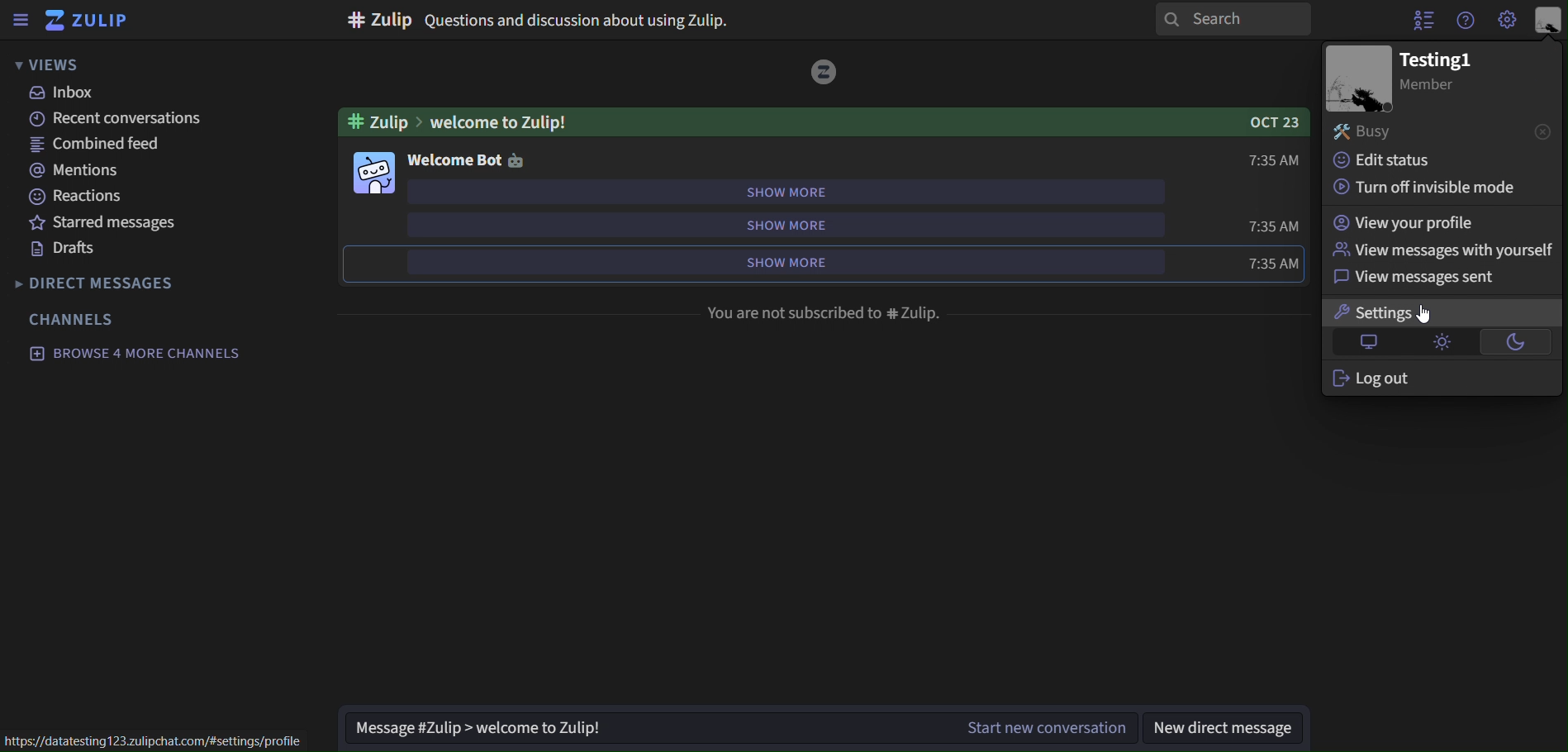 The height and width of the screenshot is (752, 1568). What do you see at coordinates (131, 354) in the screenshot?
I see `browse 4 more channels` at bounding box center [131, 354].